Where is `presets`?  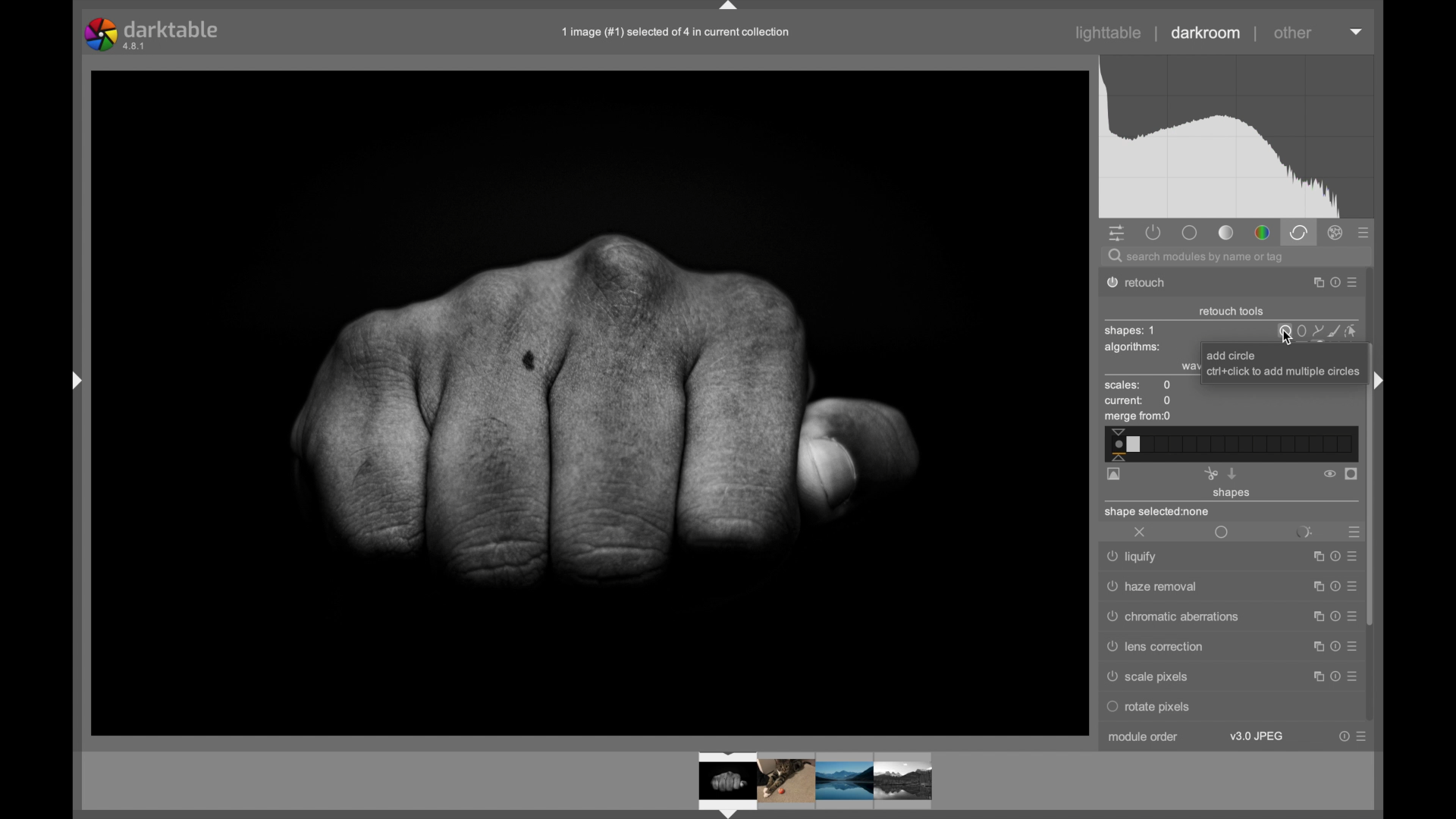 presets is located at coordinates (1364, 234).